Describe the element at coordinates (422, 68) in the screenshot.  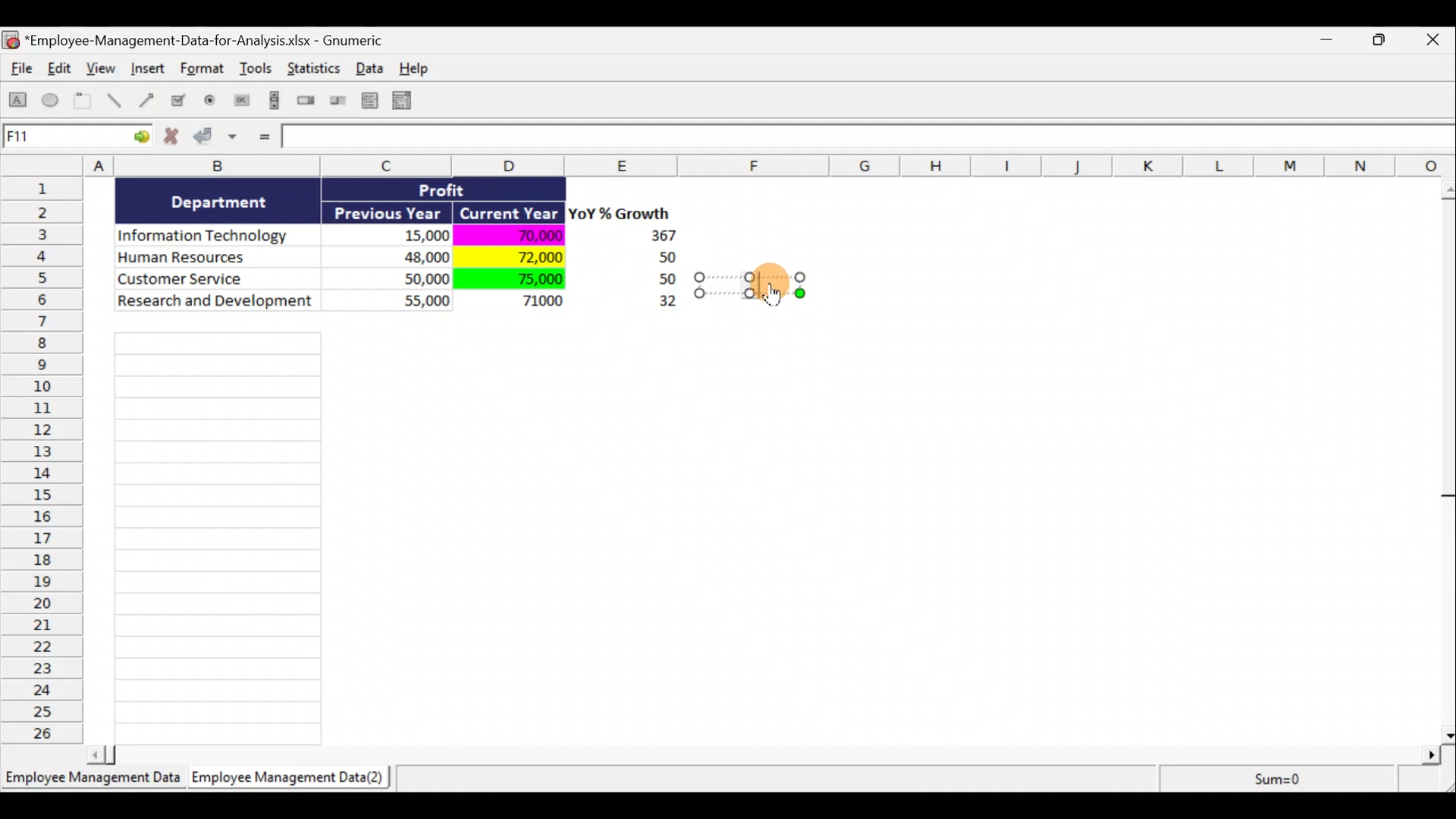
I see `Help` at that location.